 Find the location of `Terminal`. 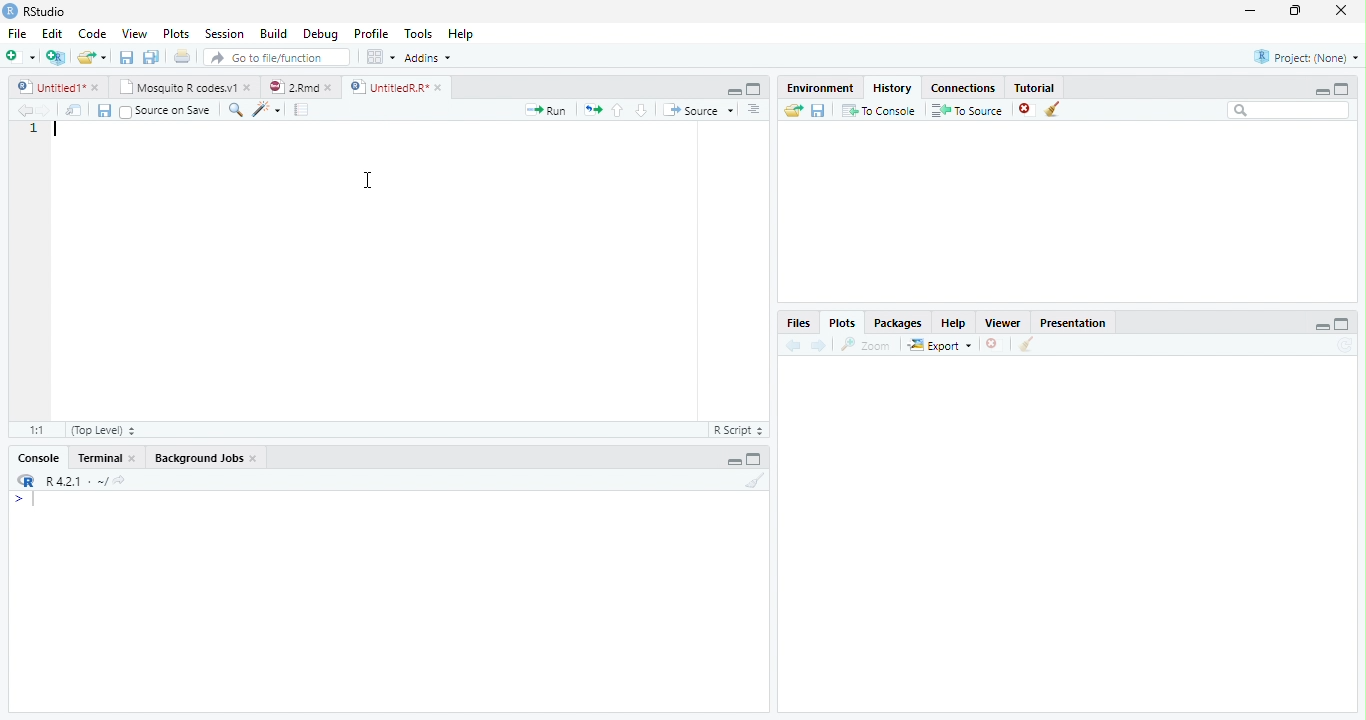

Terminal is located at coordinates (99, 458).